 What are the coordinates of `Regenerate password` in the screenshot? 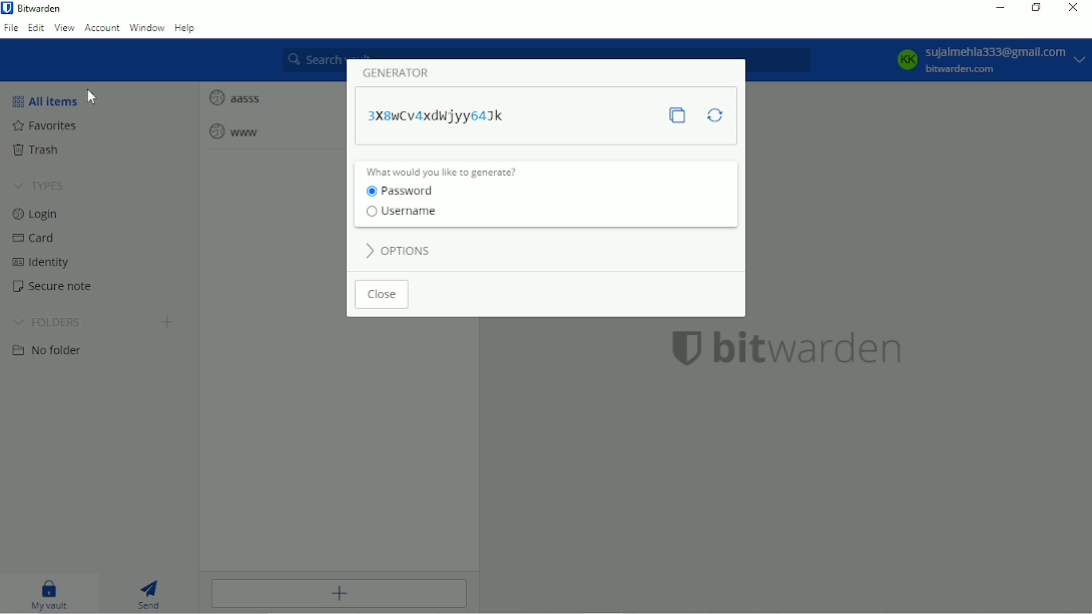 It's located at (715, 114).